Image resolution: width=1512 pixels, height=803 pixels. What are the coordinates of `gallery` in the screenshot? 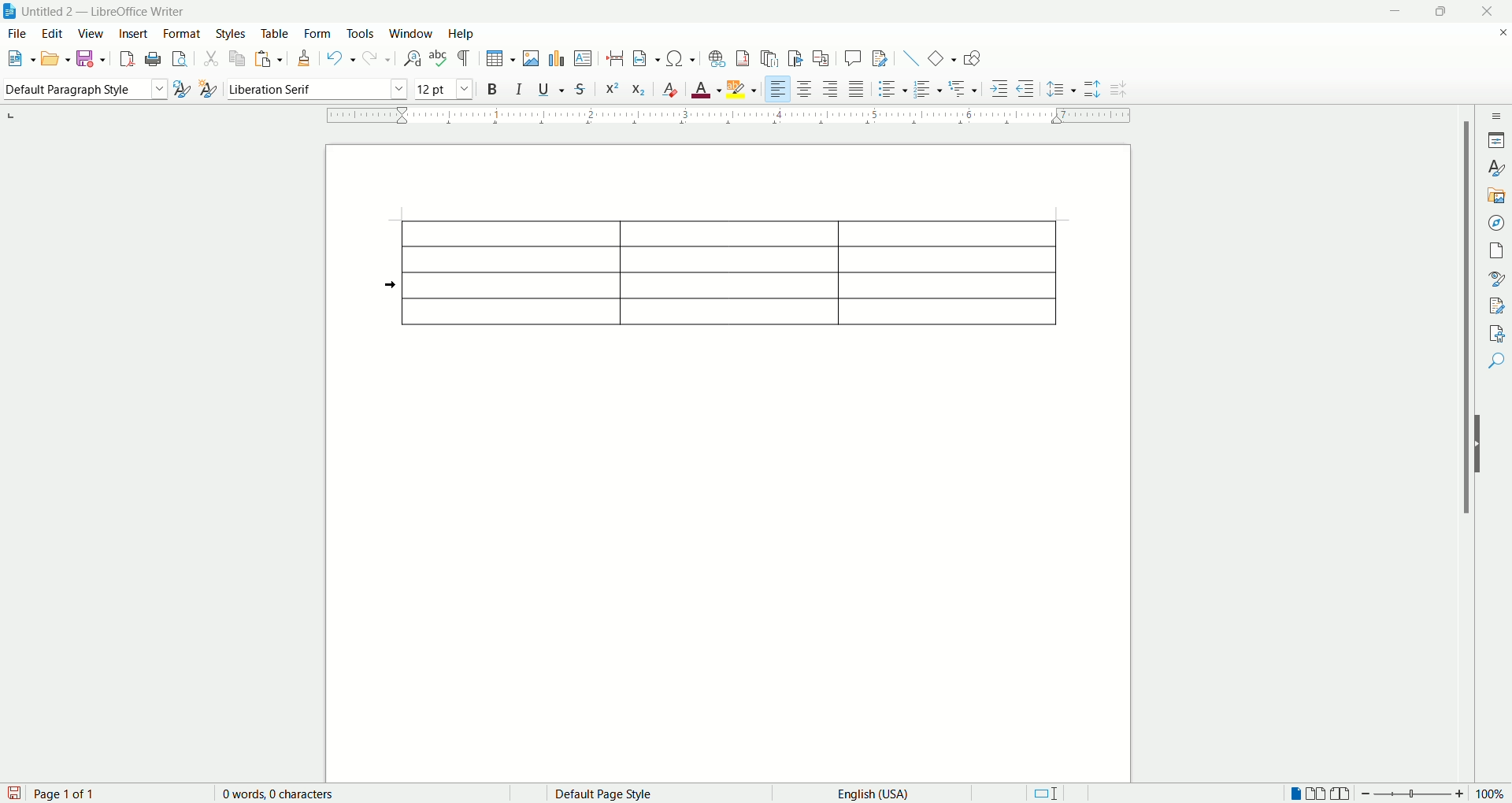 It's located at (1496, 197).